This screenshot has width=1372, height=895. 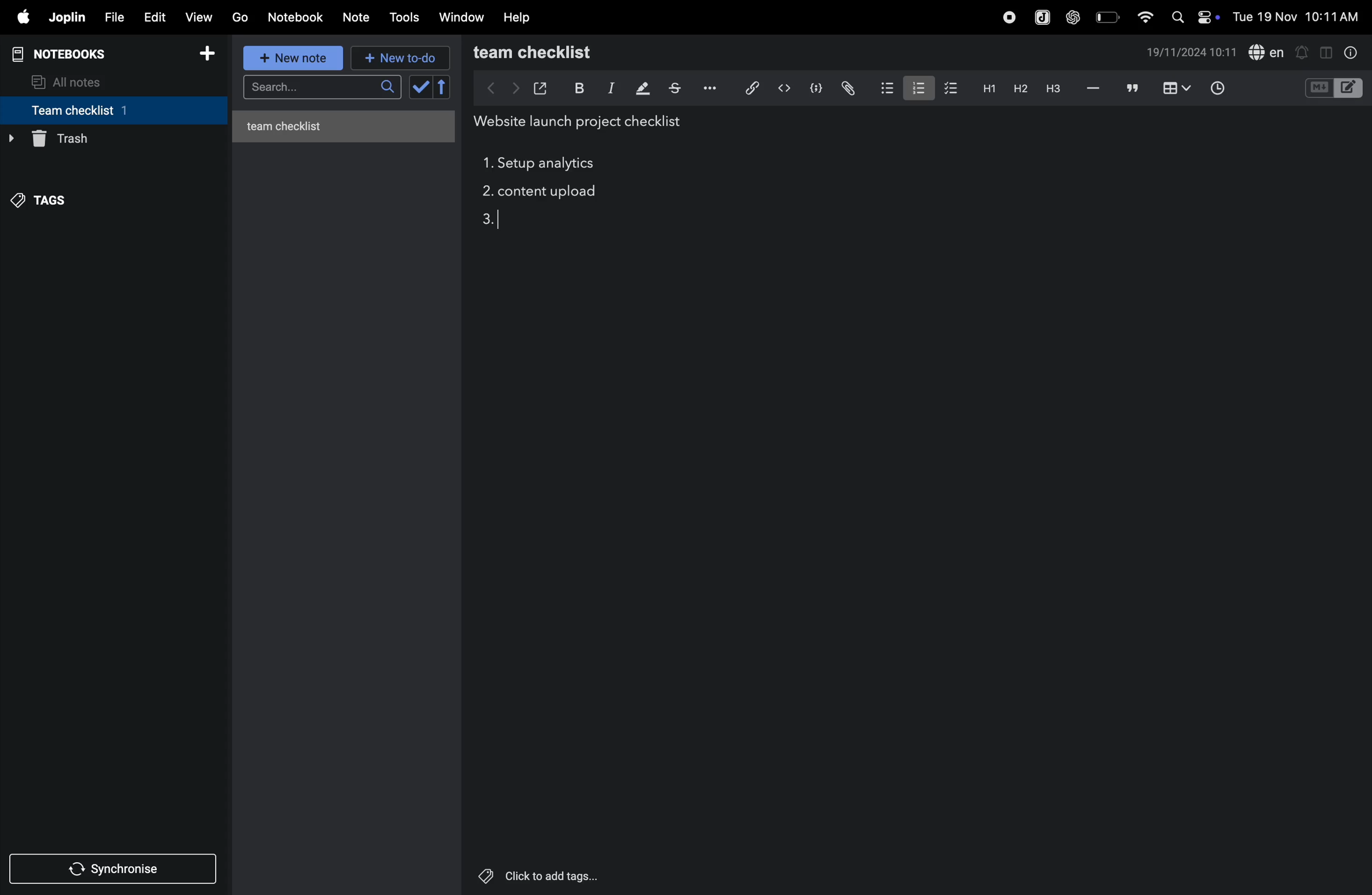 I want to click on task 2, so click(x=485, y=193).